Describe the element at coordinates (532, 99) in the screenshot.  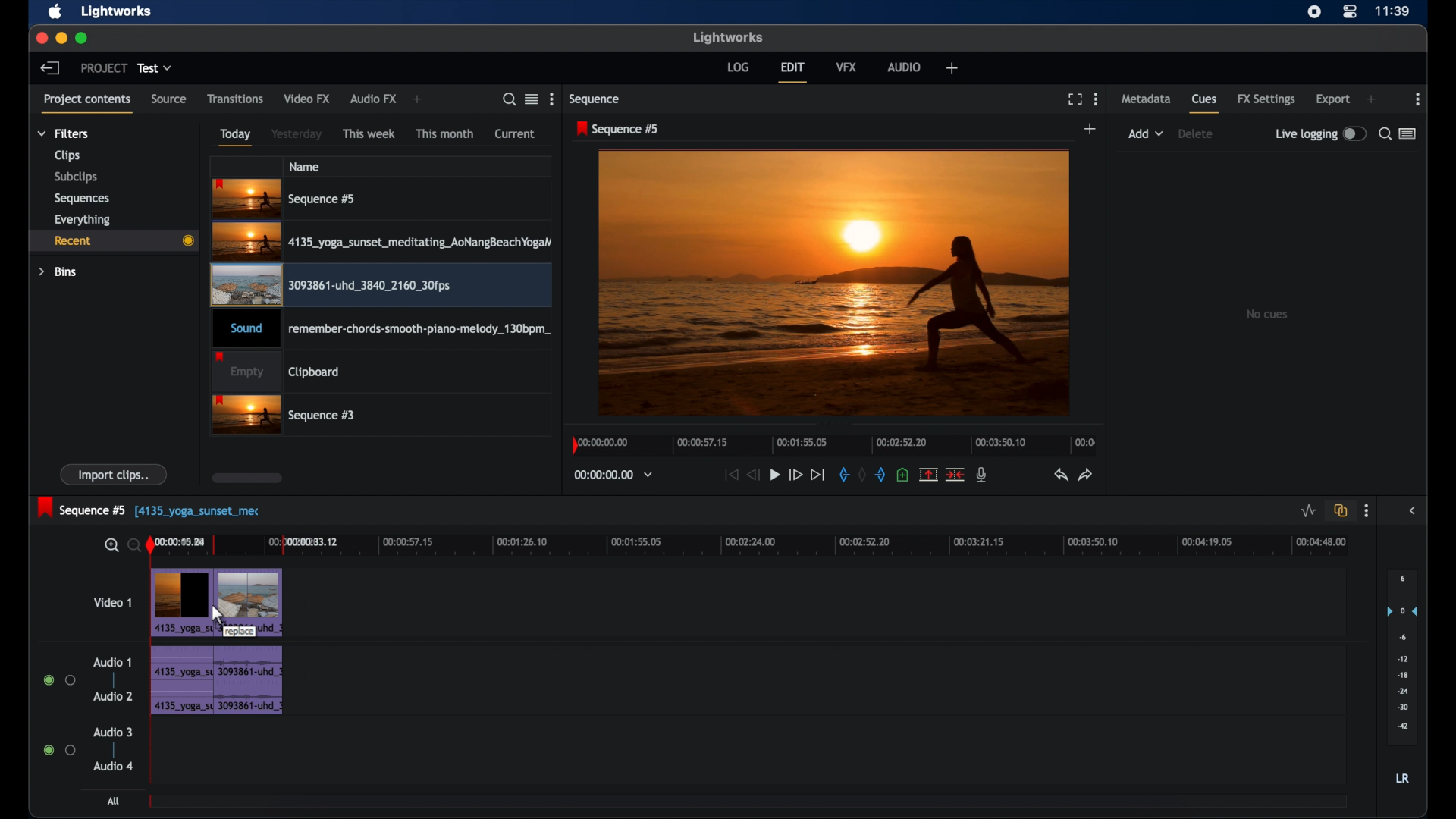
I see `toggle list or tile view` at that location.